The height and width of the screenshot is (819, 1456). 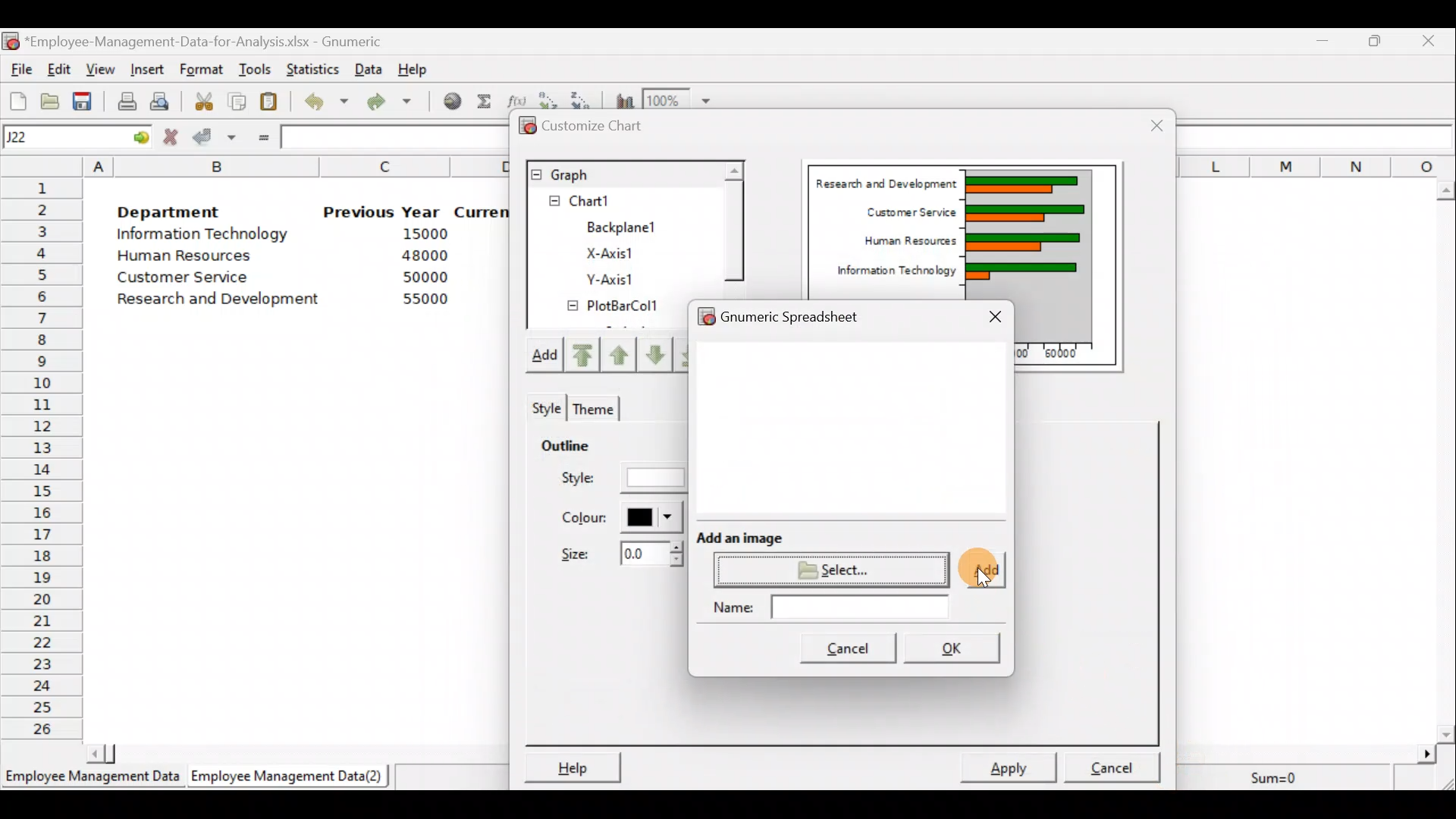 What do you see at coordinates (1147, 124) in the screenshot?
I see `Close` at bounding box center [1147, 124].